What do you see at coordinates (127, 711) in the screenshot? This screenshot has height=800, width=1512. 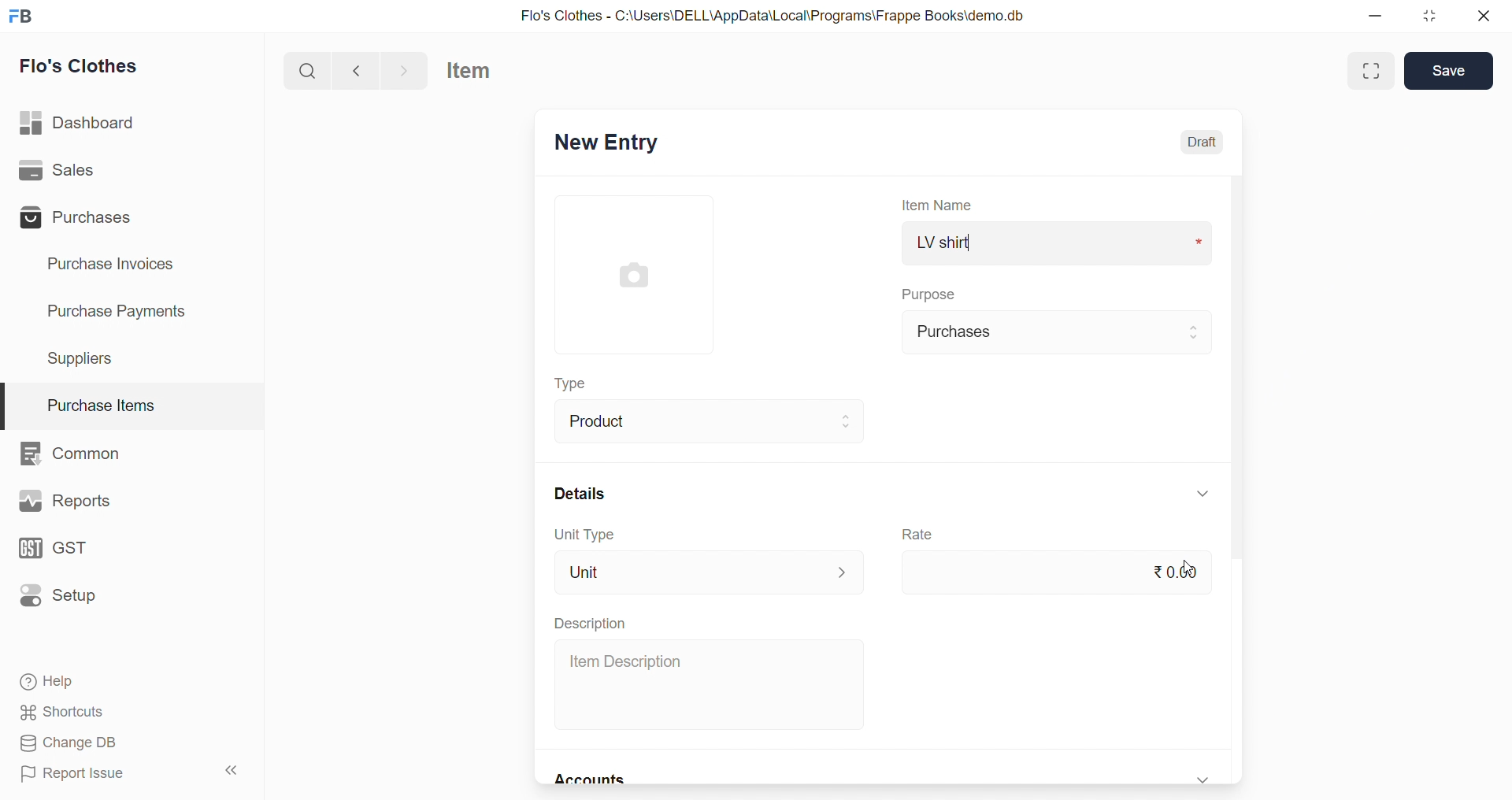 I see `Shortcuts` at bounding box center [127, 711].